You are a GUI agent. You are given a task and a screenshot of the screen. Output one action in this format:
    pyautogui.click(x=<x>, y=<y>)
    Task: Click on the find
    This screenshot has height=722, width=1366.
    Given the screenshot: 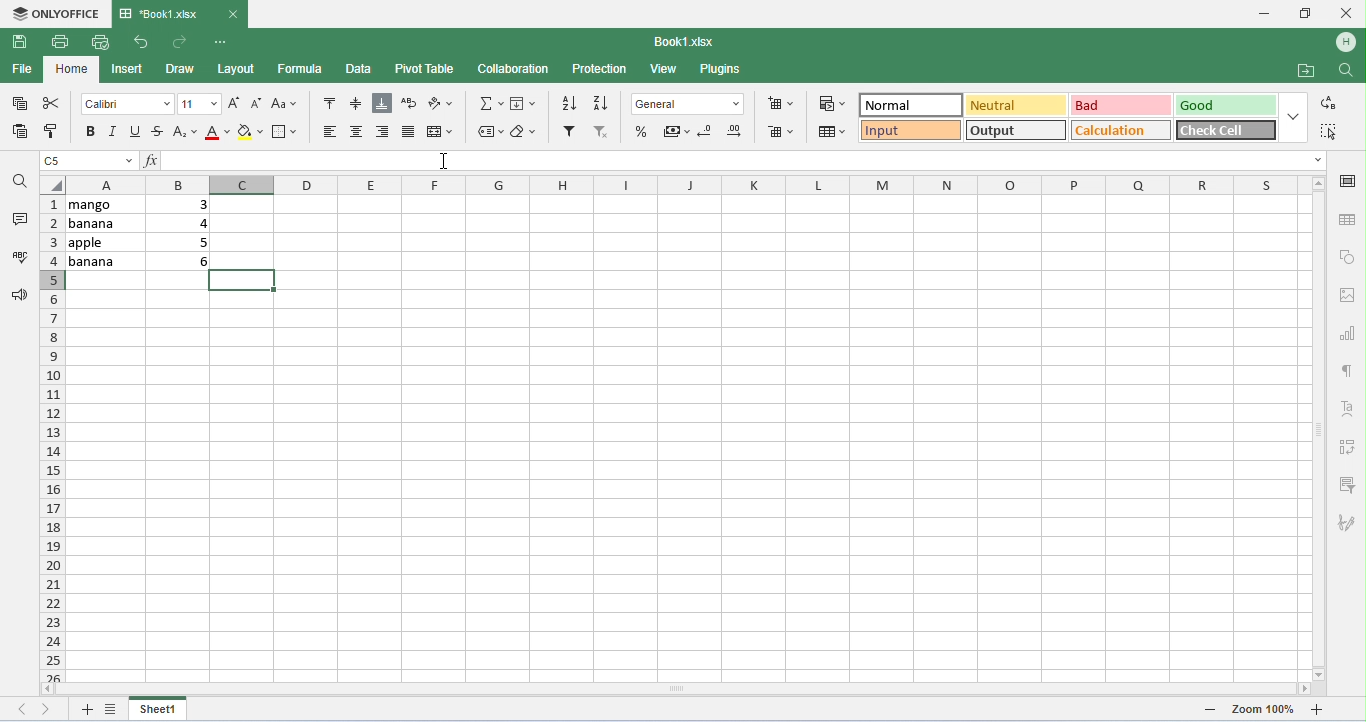 What is the action you would take?
    pyautogui.click(x=19, y=180)
    